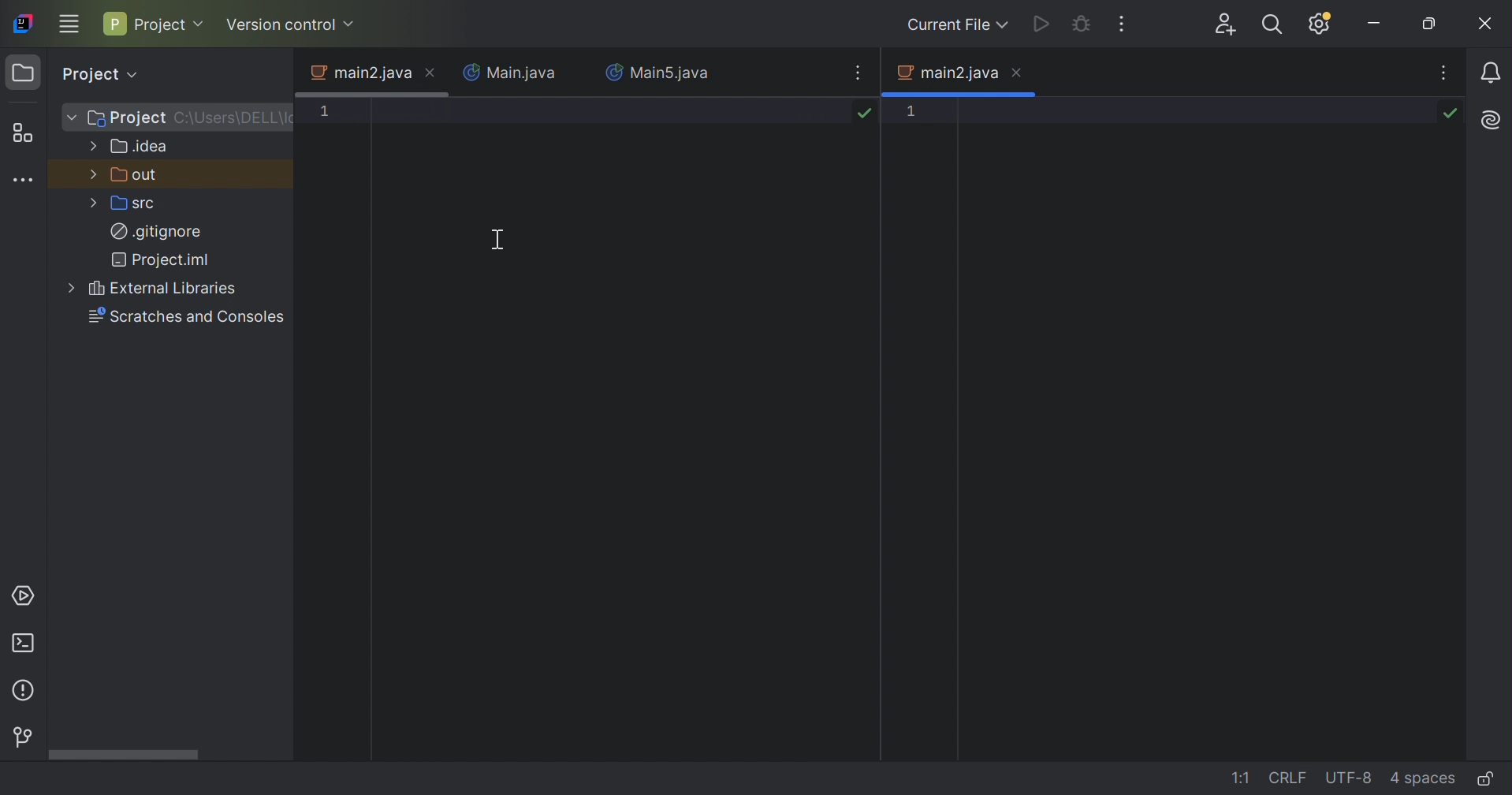 Image resolution: width=1512 pixels, height=795 pixels. Describe the element at coordinates (1242, 780) in the screenshot. I see `1:1` at that location.